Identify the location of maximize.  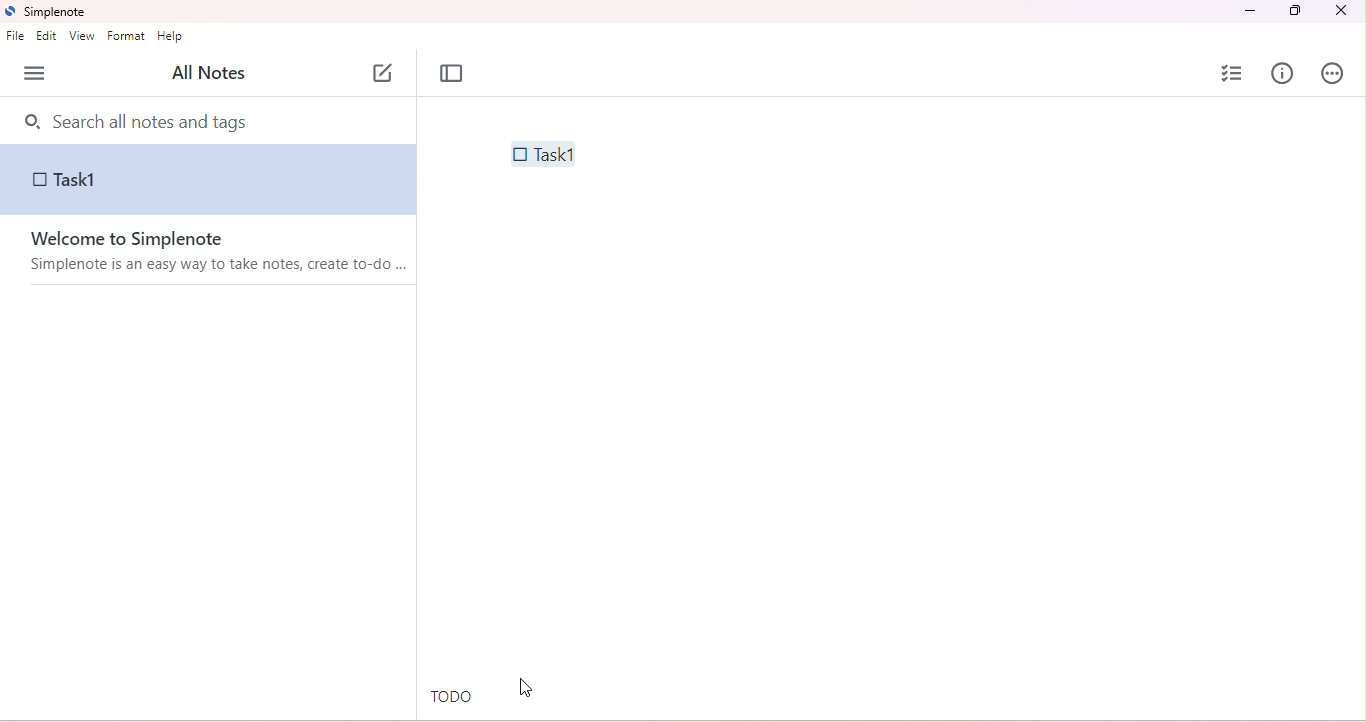
(1293, 11).